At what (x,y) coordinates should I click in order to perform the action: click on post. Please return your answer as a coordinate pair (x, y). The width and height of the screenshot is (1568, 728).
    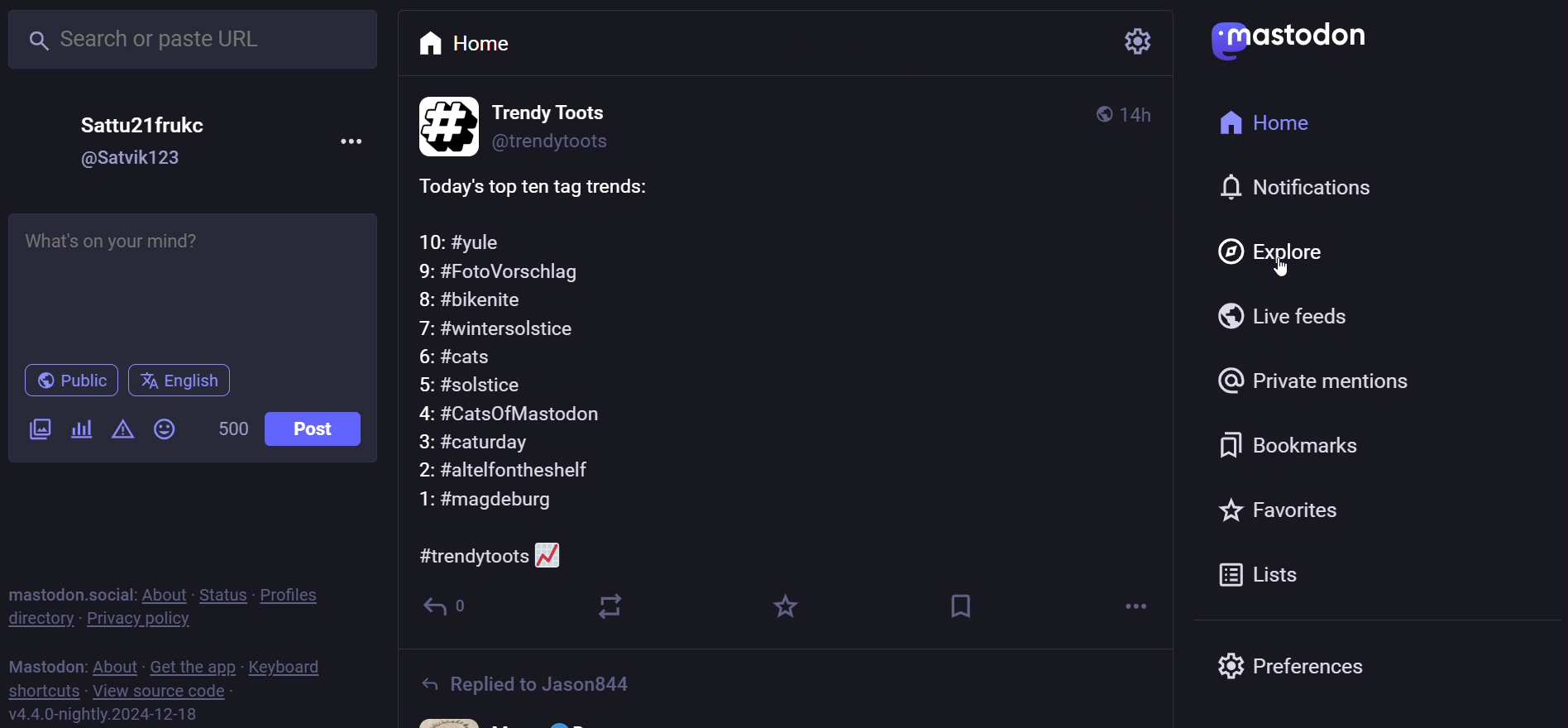
    Looking at the image, I should click on (317, 430).